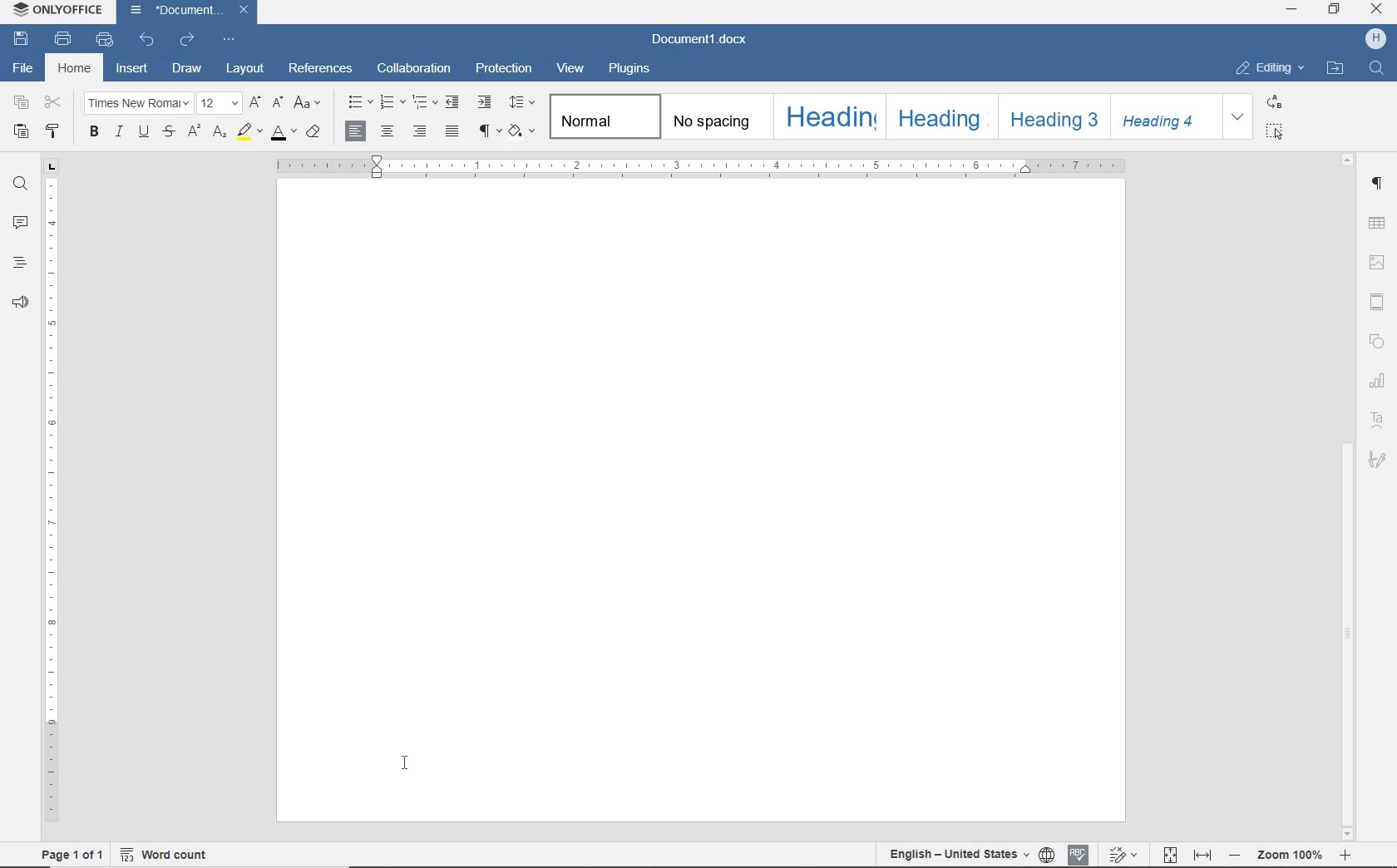 The height and width of the screenshot is (868, 1397). What do you see at coordinates (308, 105) in the screenshot?
I see `change case` at bounding box center [308, 105].